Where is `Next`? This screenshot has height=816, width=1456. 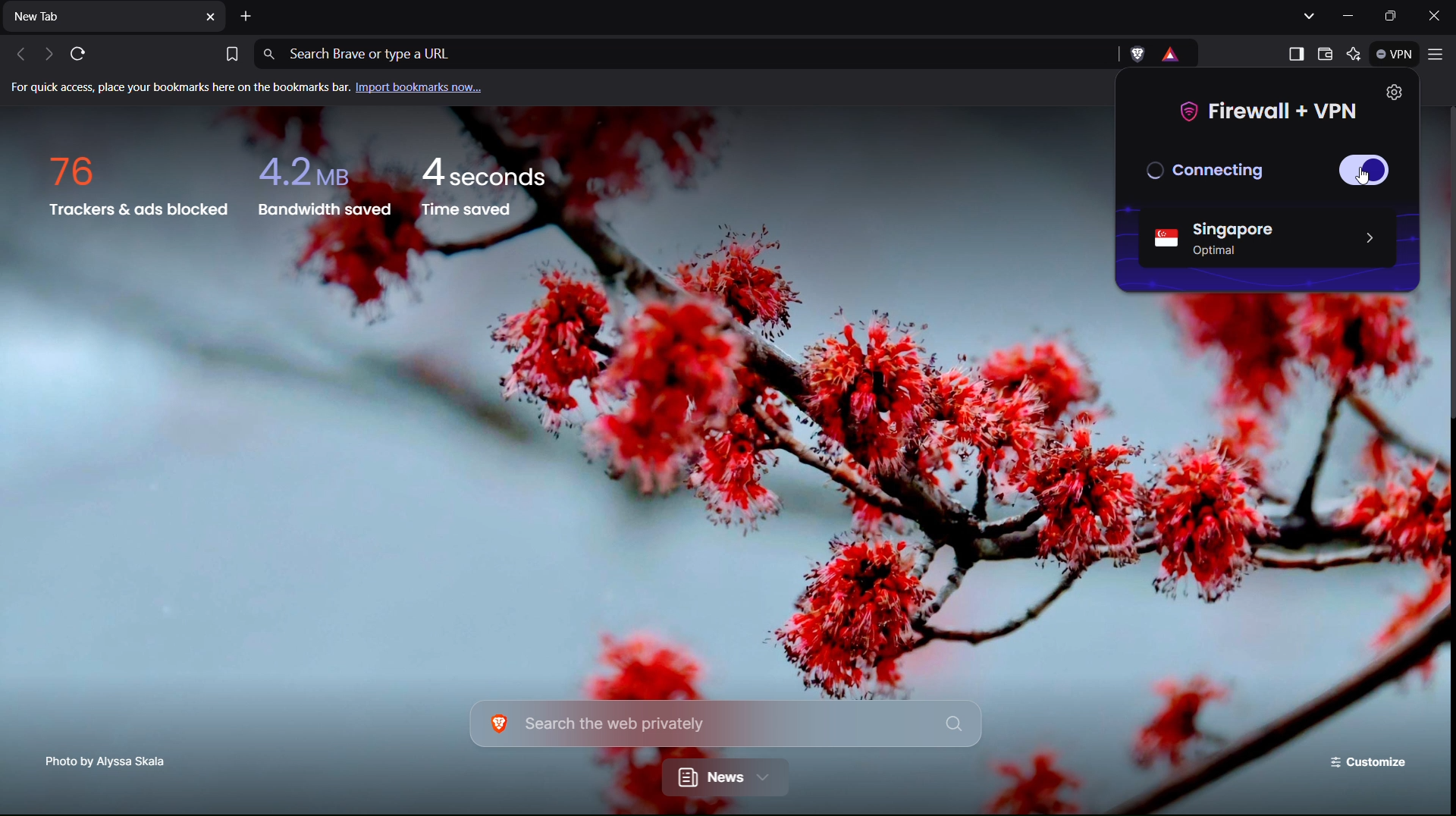 Next is located at coordinates (46, 54).